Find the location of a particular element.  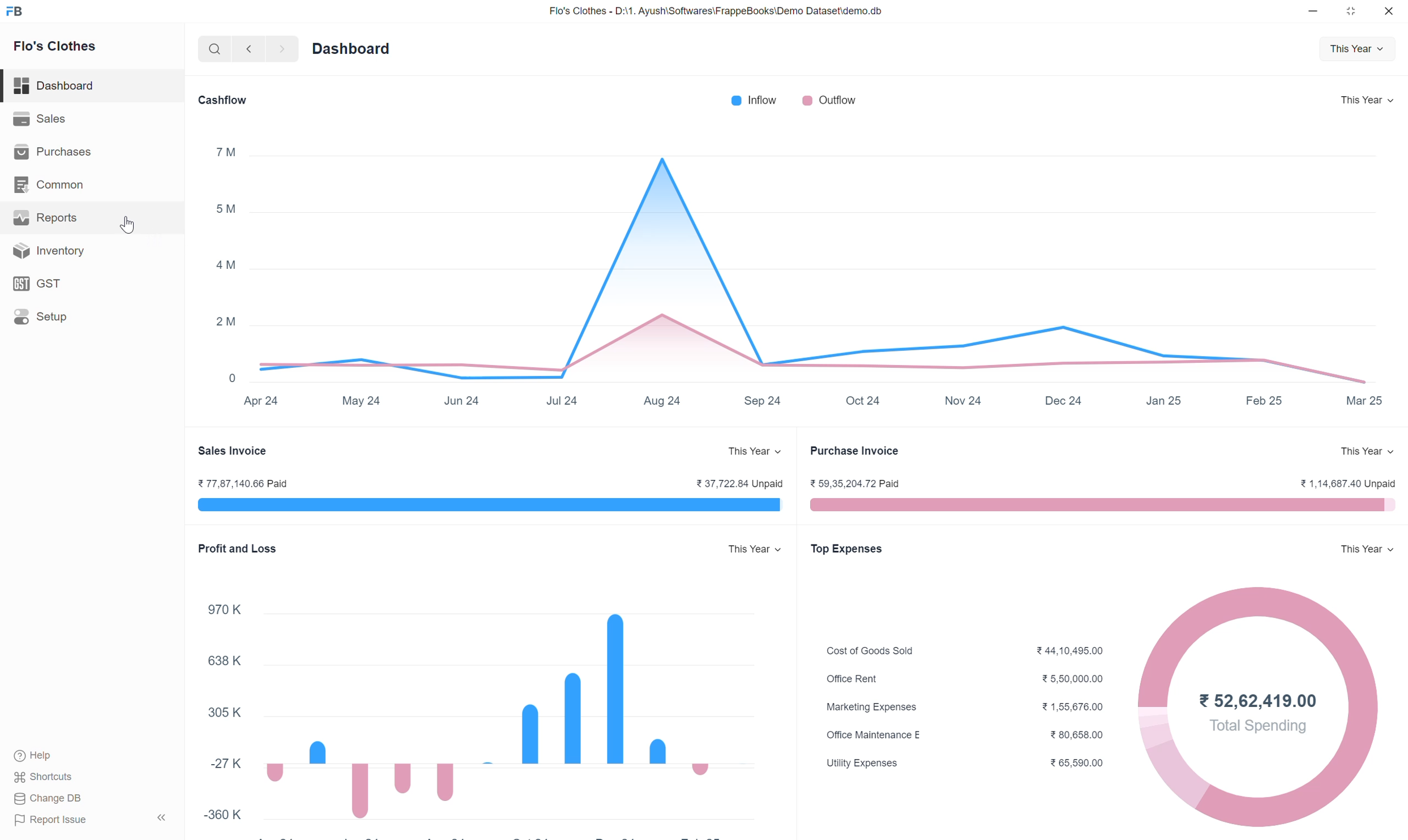

Bar graph is located at coordinates (491, 706).